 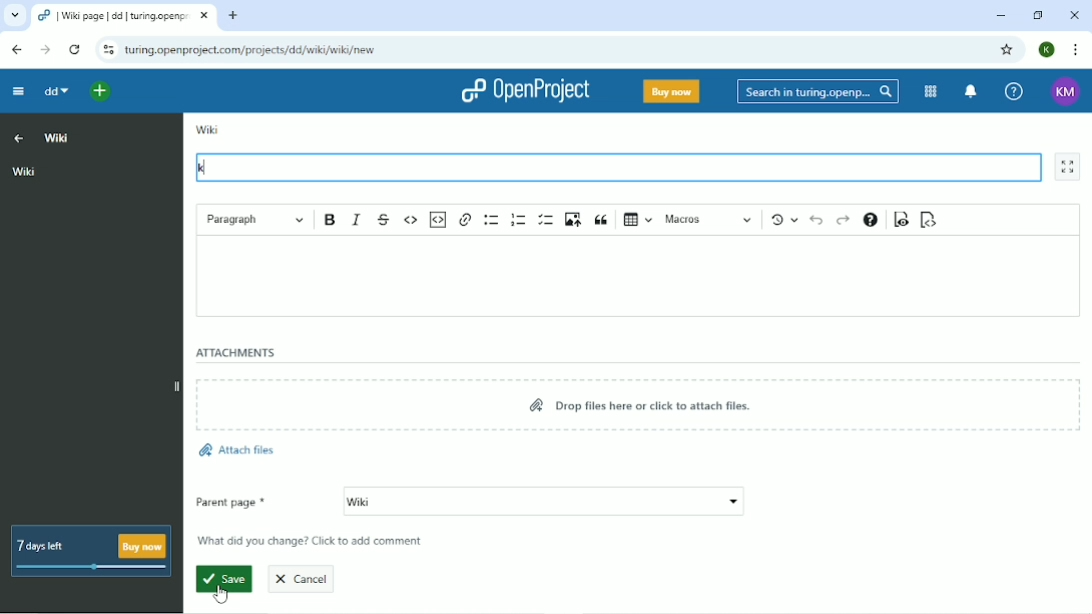 What do you see at coordinates (490, 220) in the screenshot?
I see `Bulleted list` at bounding box center [490, 220].